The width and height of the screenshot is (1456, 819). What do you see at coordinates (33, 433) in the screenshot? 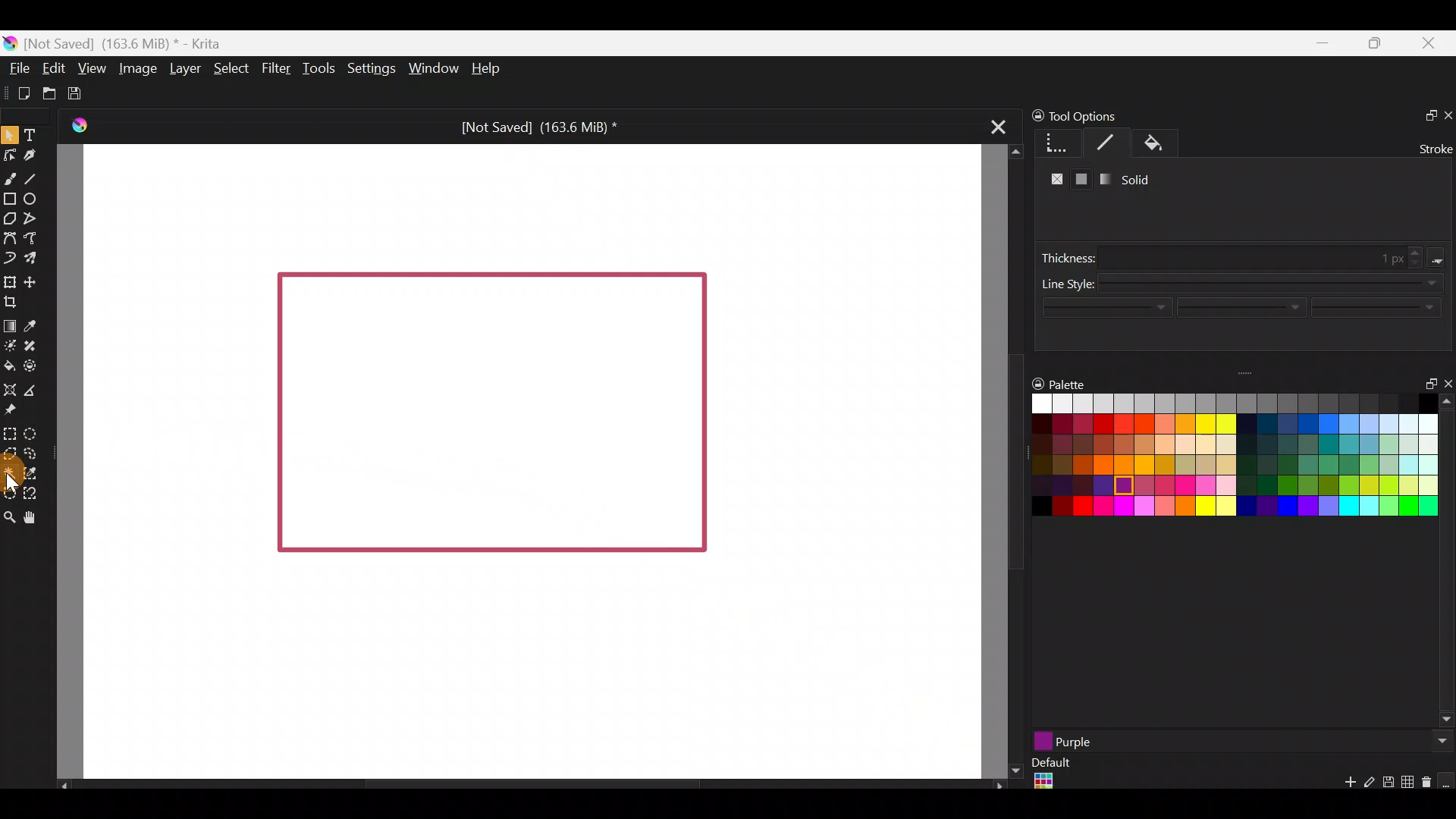
I see `Elliptical selection tool` at bounding box center [33, 433].